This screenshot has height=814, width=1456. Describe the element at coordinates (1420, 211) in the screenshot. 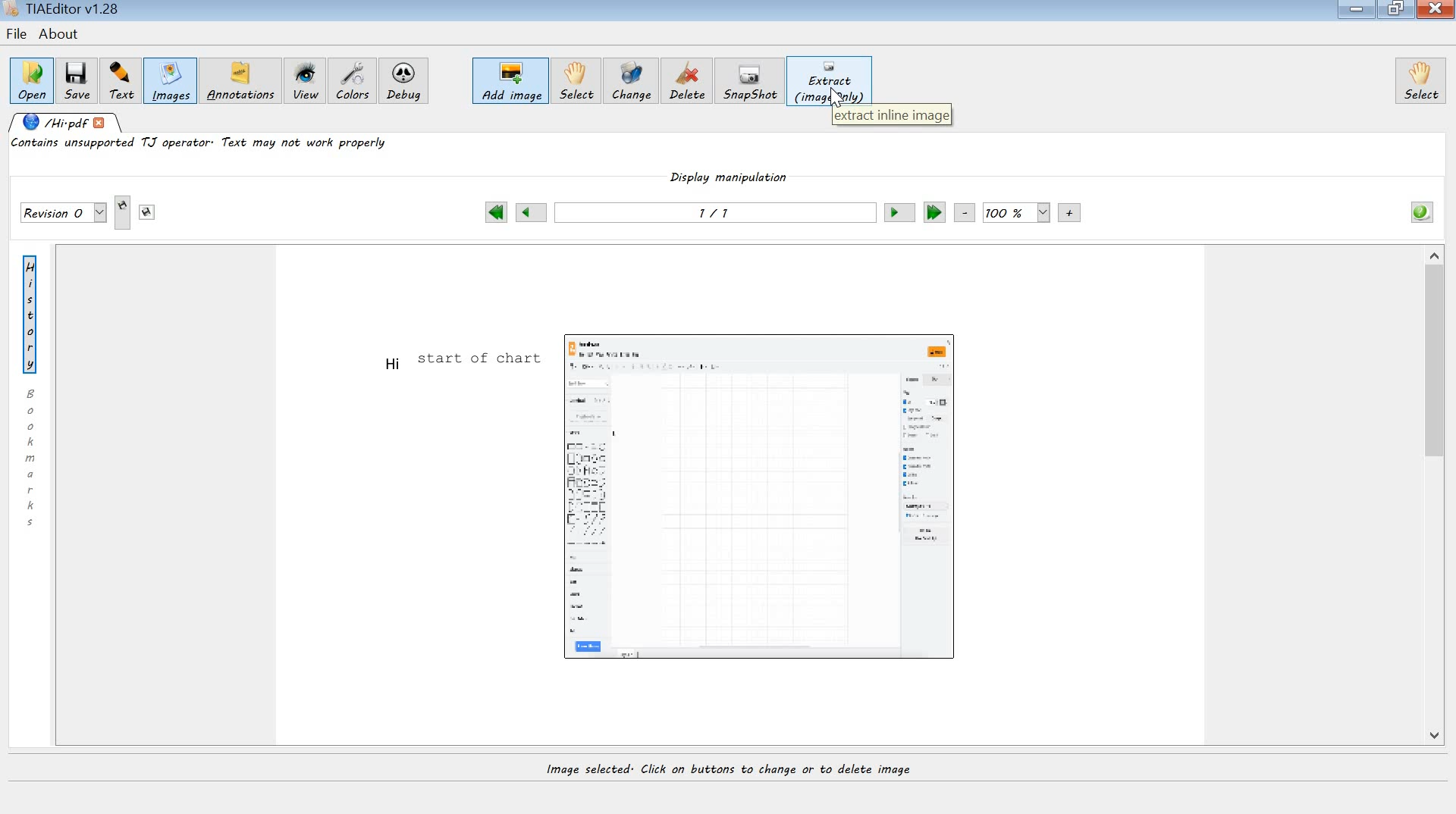

I see `info about opened pdf` at that location.